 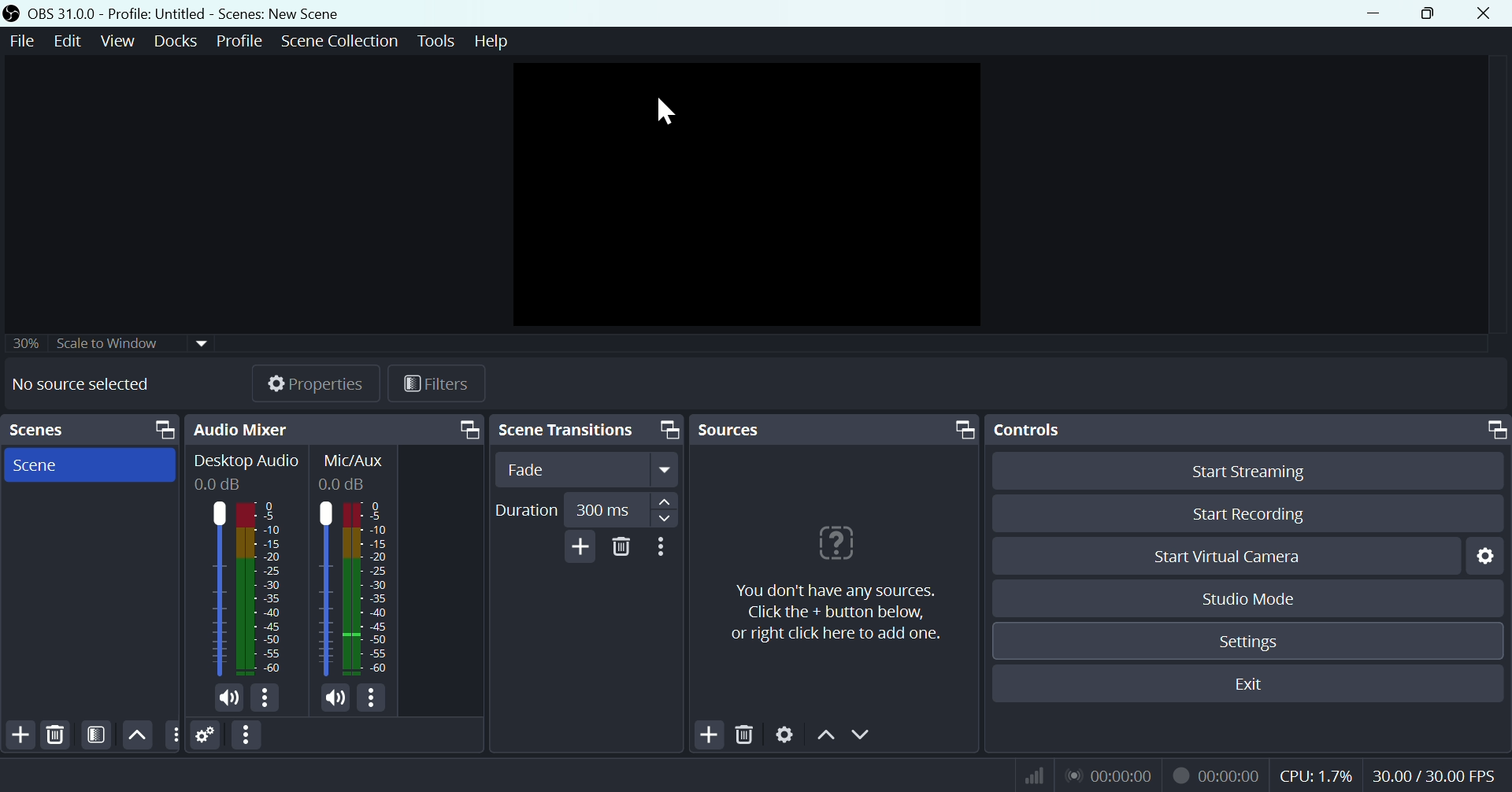 I want to click on add, so click(x=577, y=549).